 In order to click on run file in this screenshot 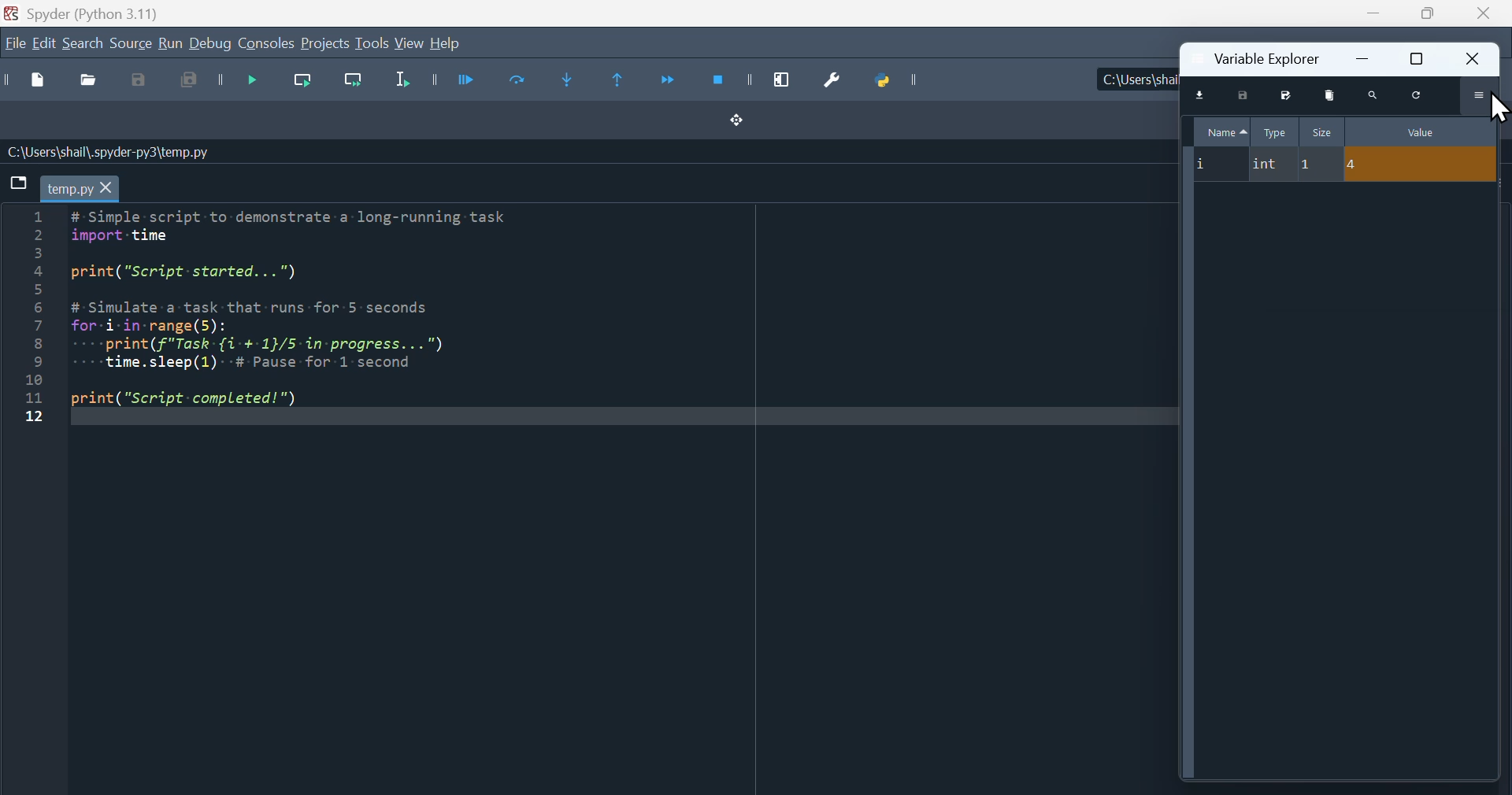, I will do `click(450, 79)`.